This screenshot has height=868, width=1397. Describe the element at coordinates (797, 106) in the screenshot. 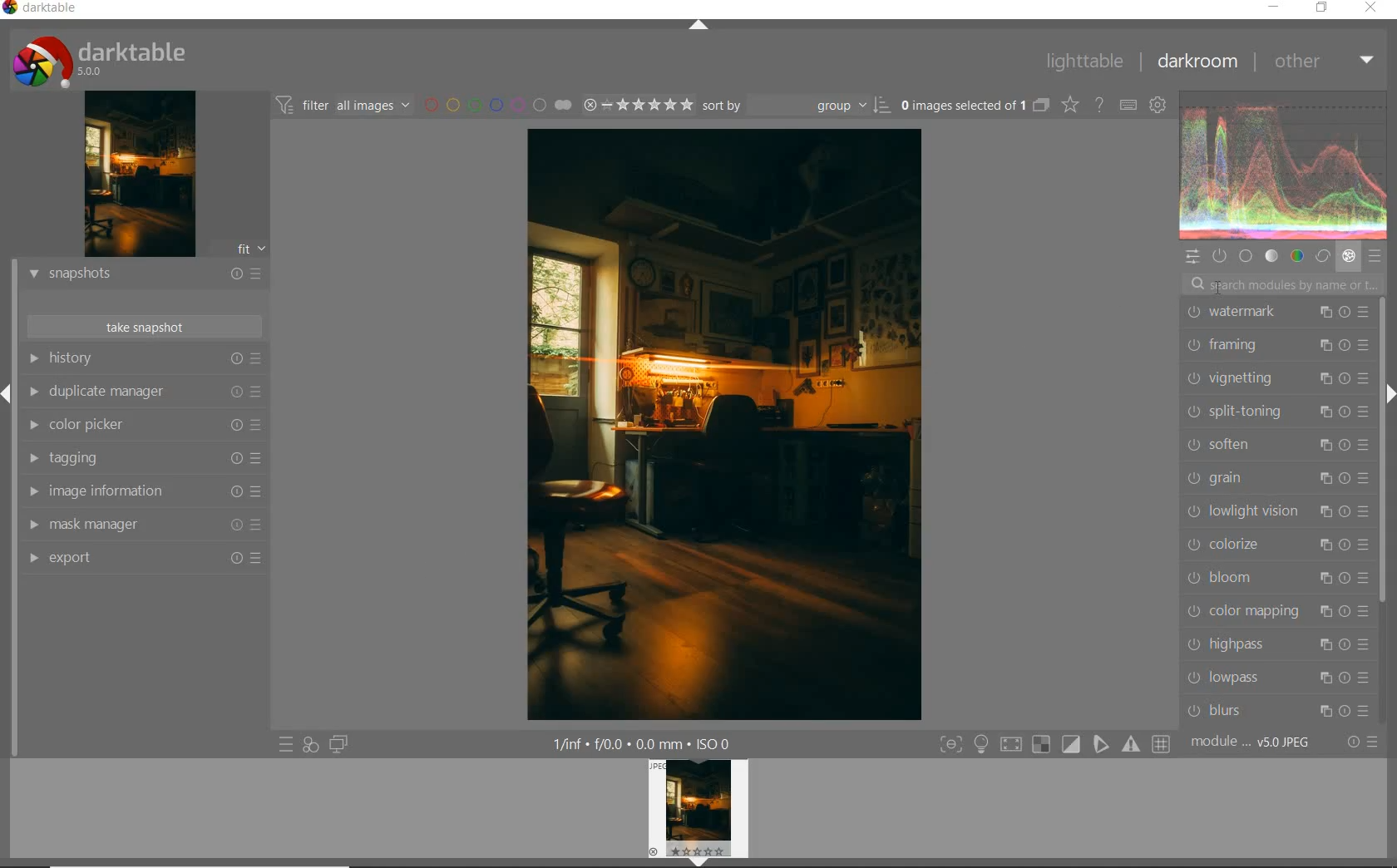

I see `sort` at that location.